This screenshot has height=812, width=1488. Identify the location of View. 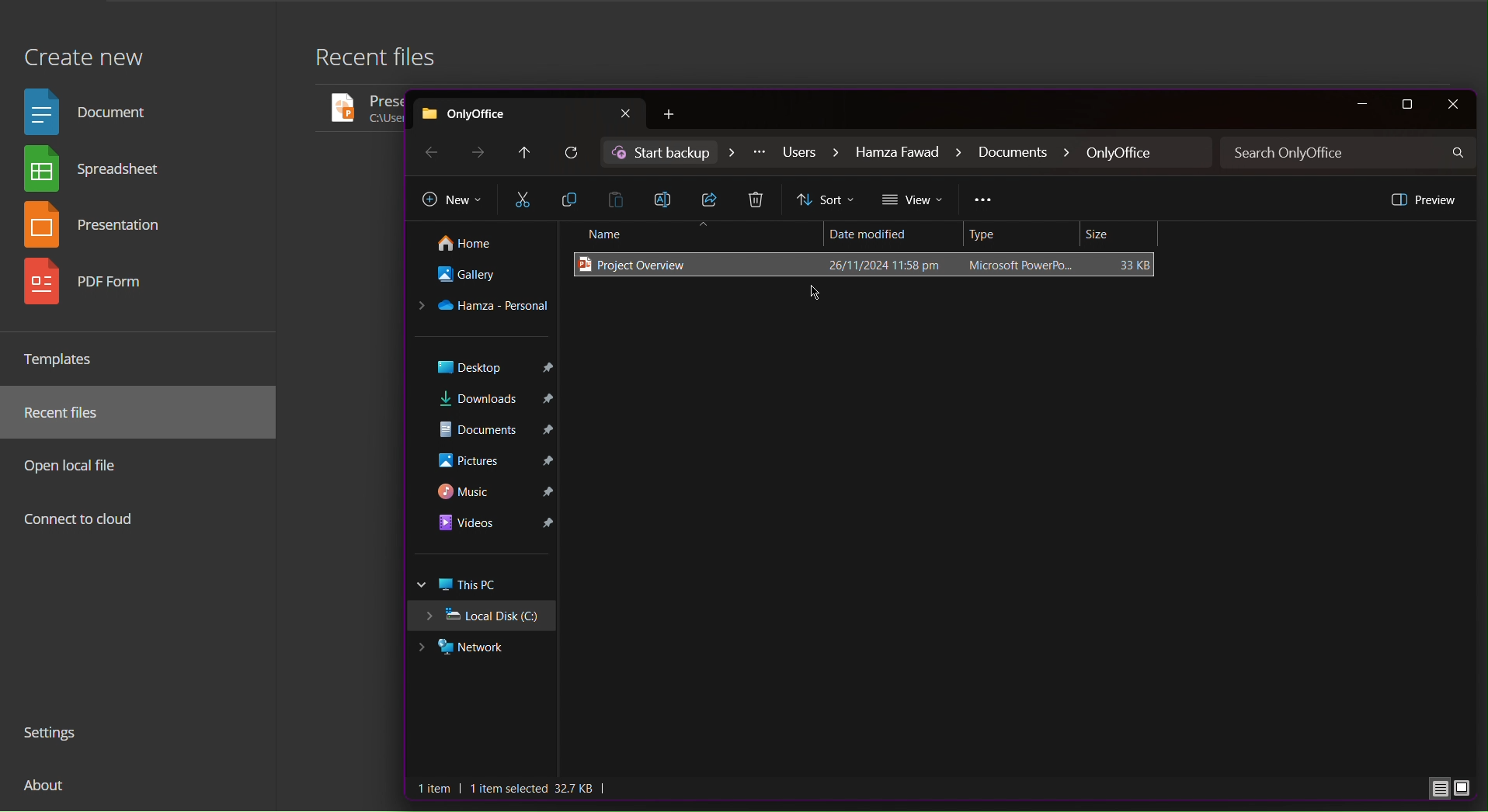
(914, 200).